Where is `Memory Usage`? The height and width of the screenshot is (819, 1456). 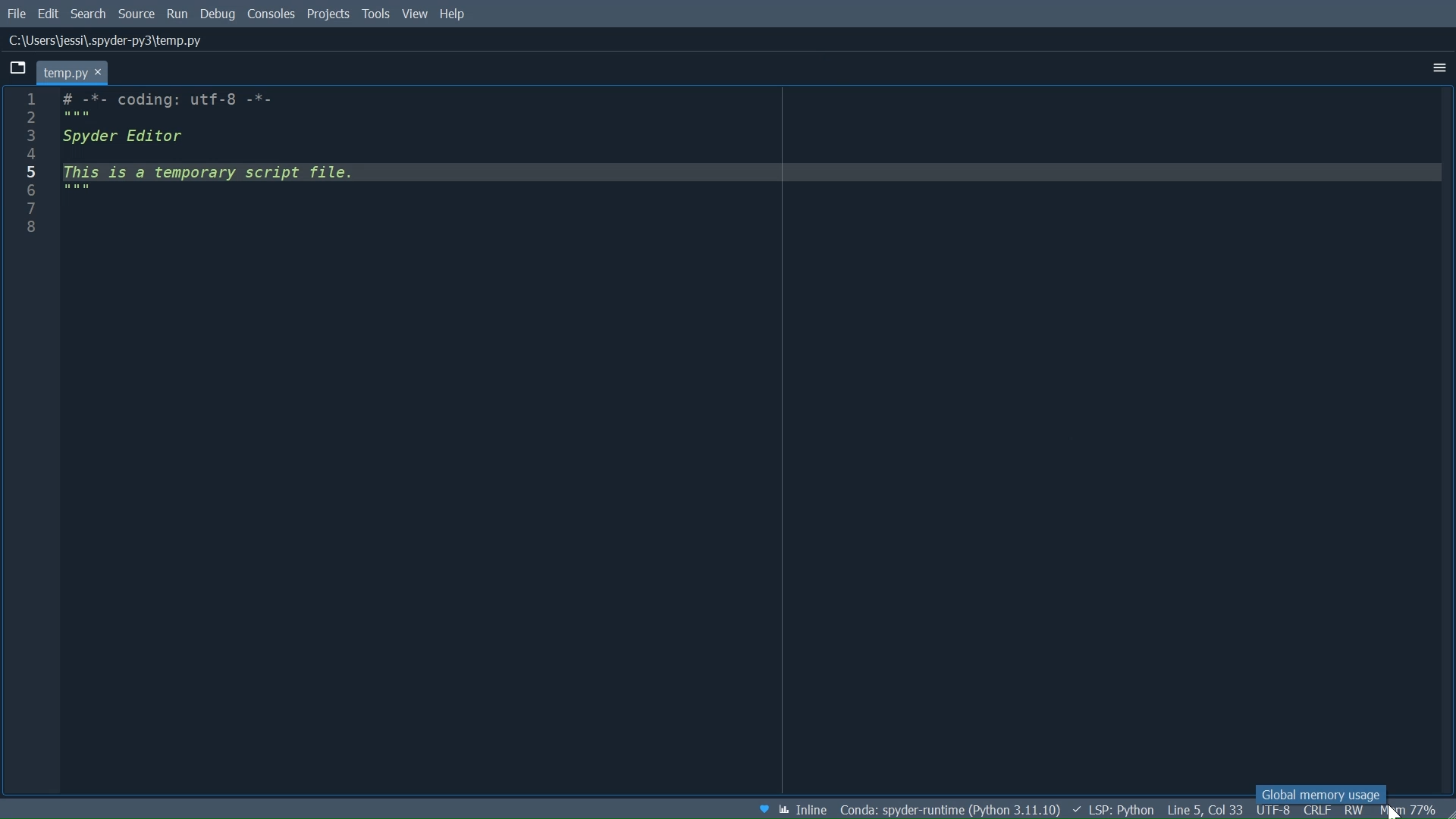 Memory Usage is located at coordinates (1414, 811).